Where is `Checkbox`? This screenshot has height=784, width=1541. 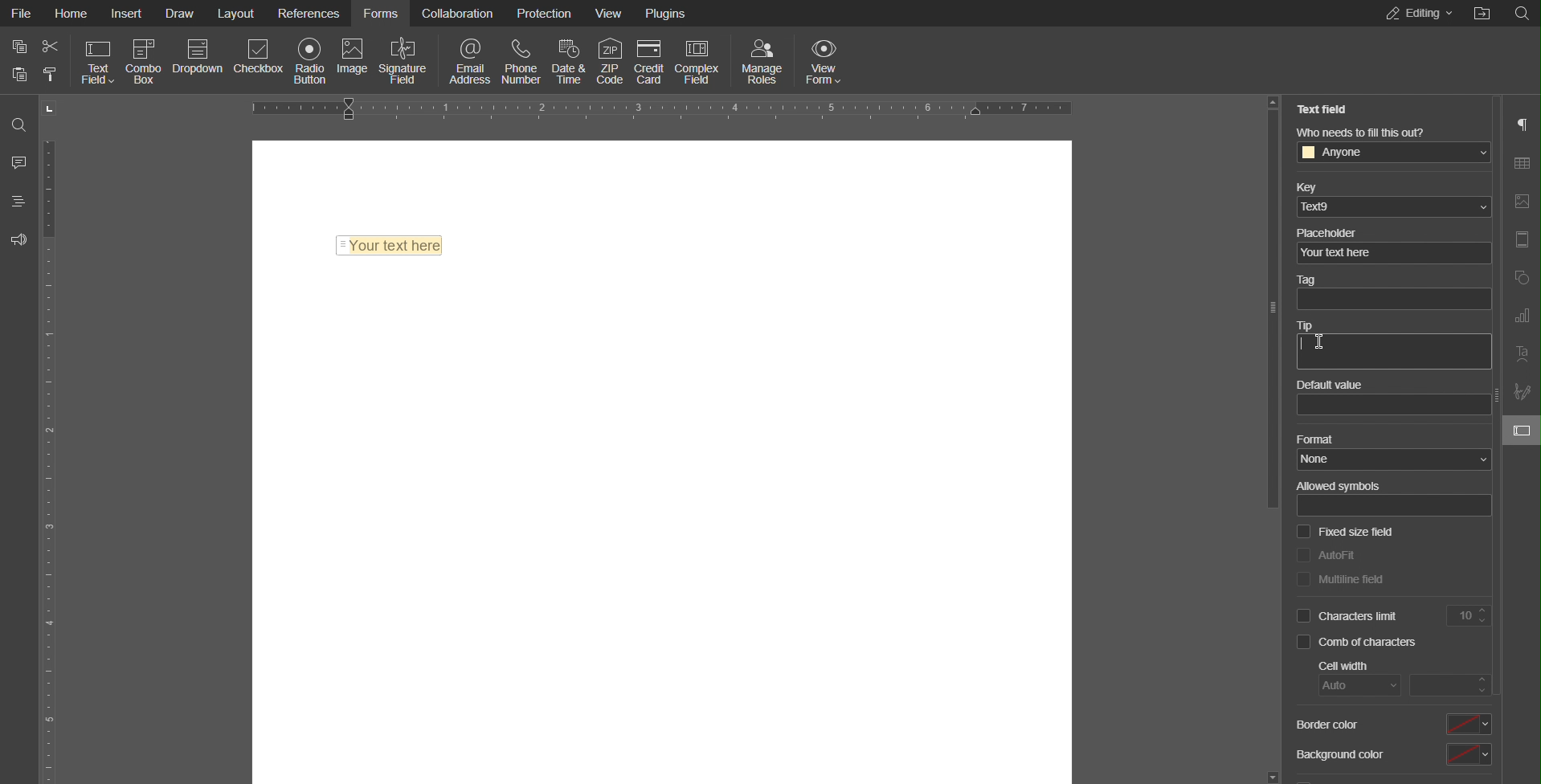 Checkbox is located at coordinates (260, 61).